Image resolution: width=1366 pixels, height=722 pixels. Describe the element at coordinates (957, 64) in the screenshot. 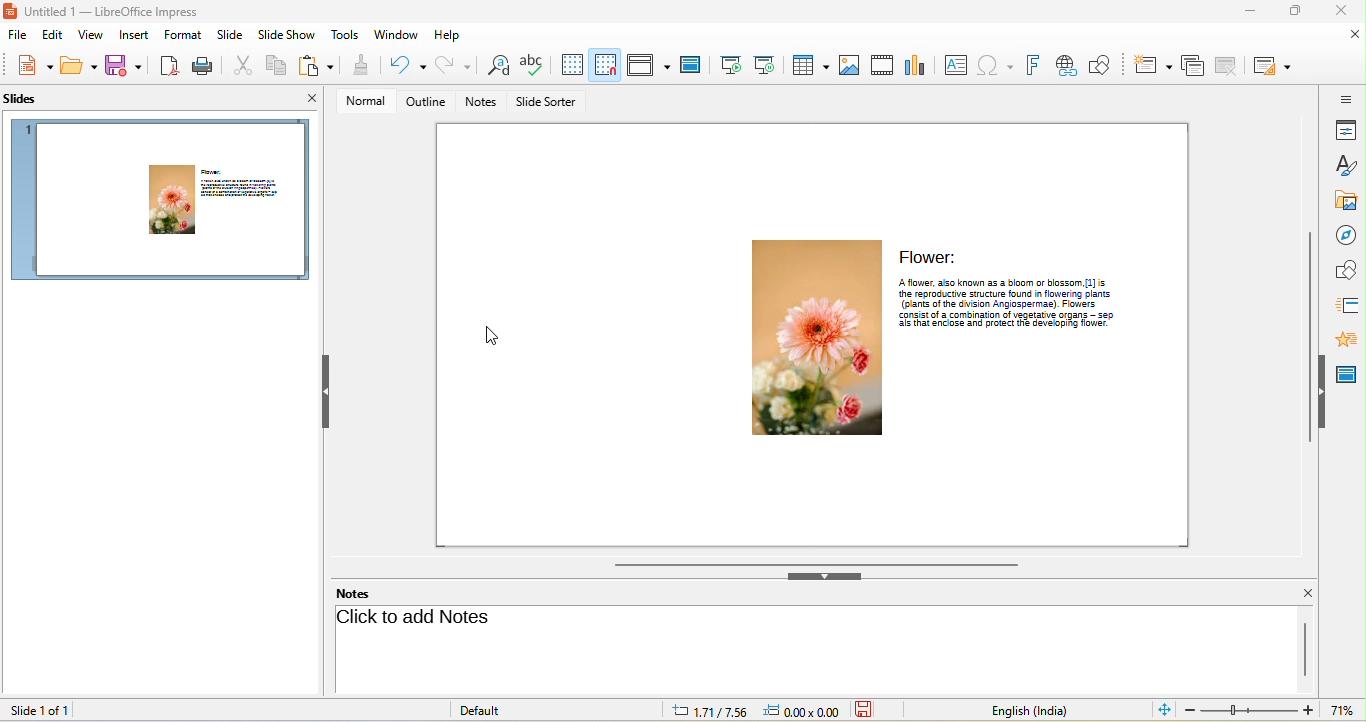

I see `text box` at that location.